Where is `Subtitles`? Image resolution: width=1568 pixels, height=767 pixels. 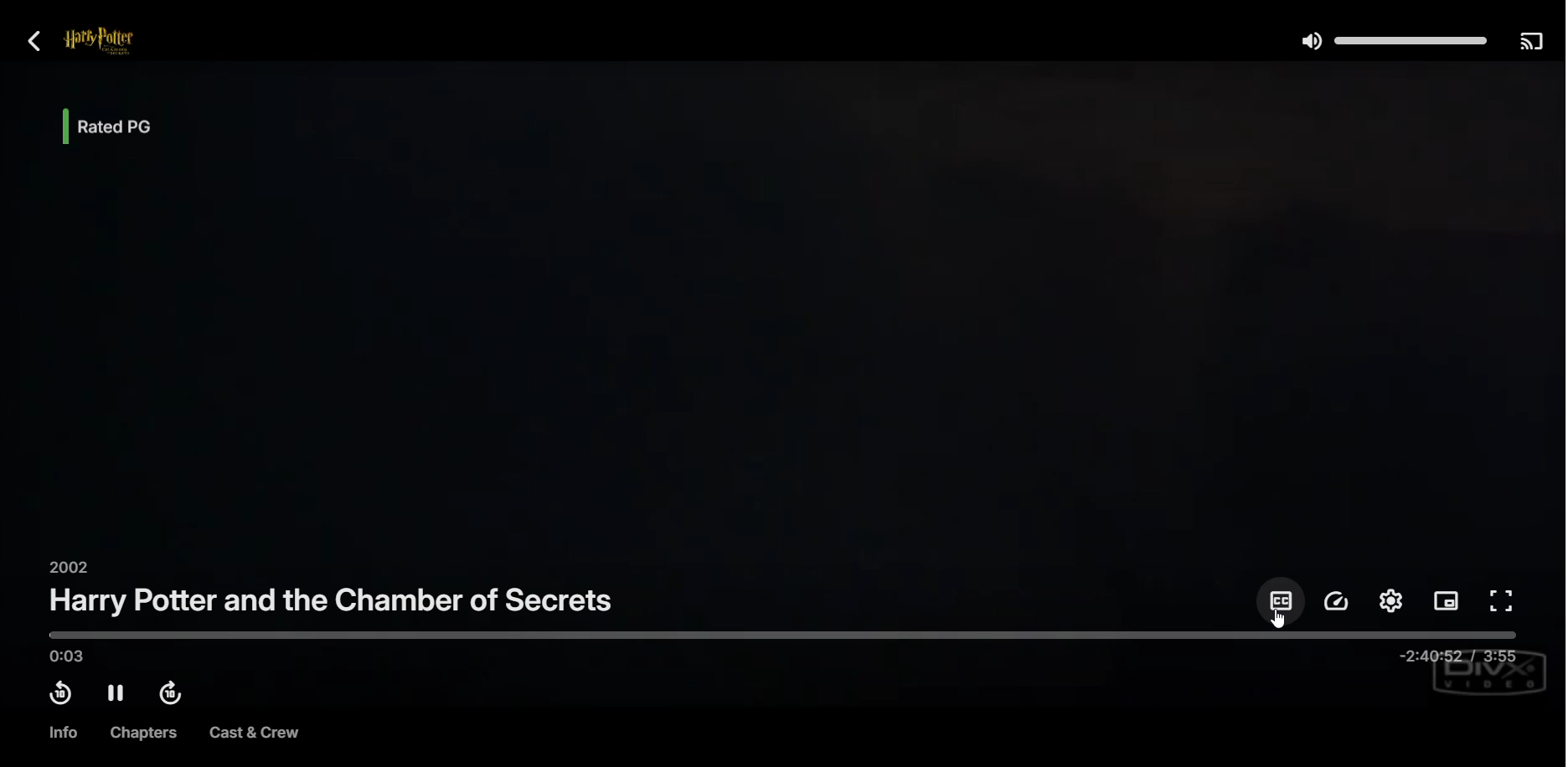 Subtitles is located at coordinates (1280, 600).